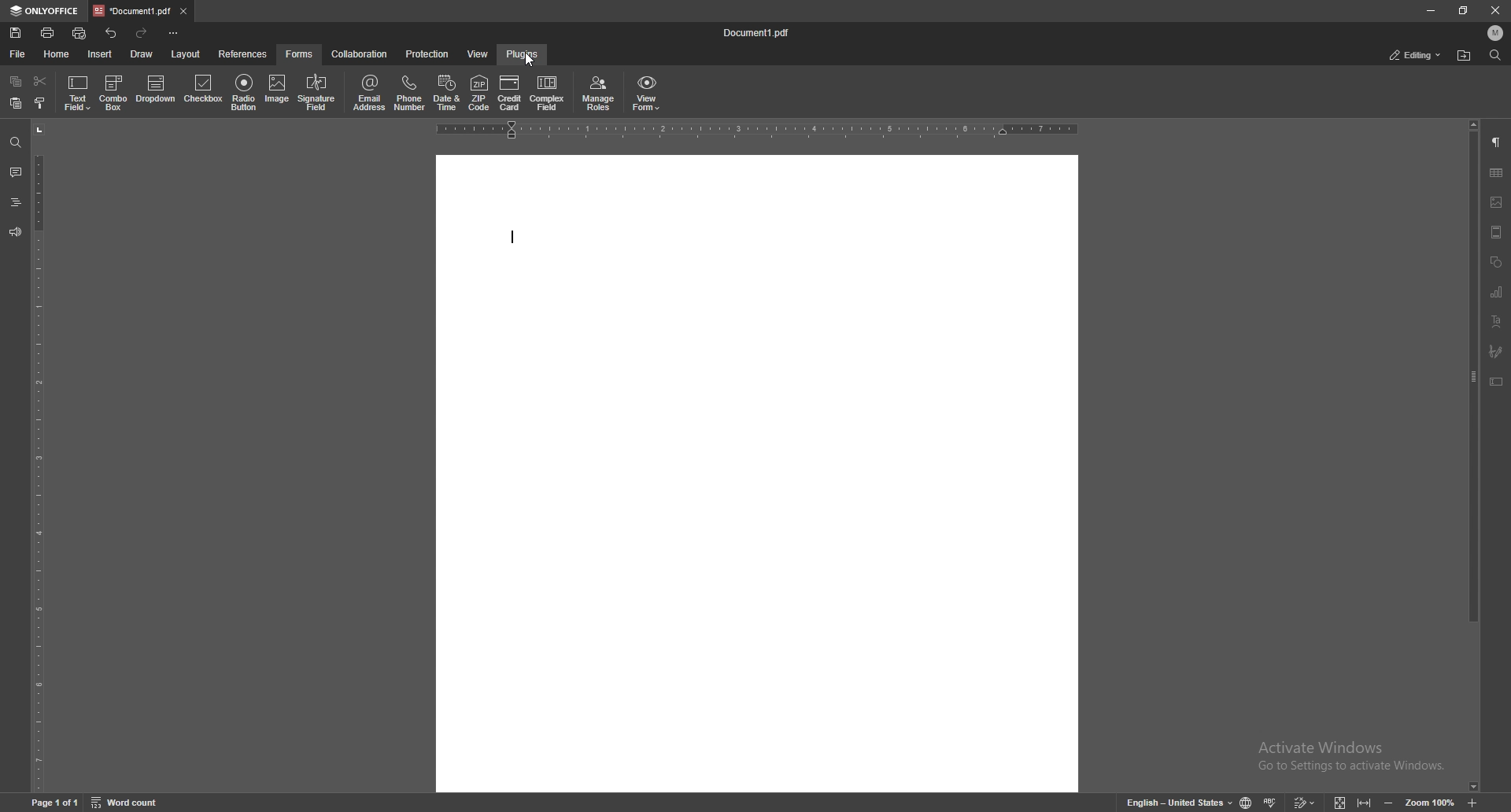  What do you see at coordinates (1417, 54) in the screenshot?
I see `status` at bounding box center [1417, 54].